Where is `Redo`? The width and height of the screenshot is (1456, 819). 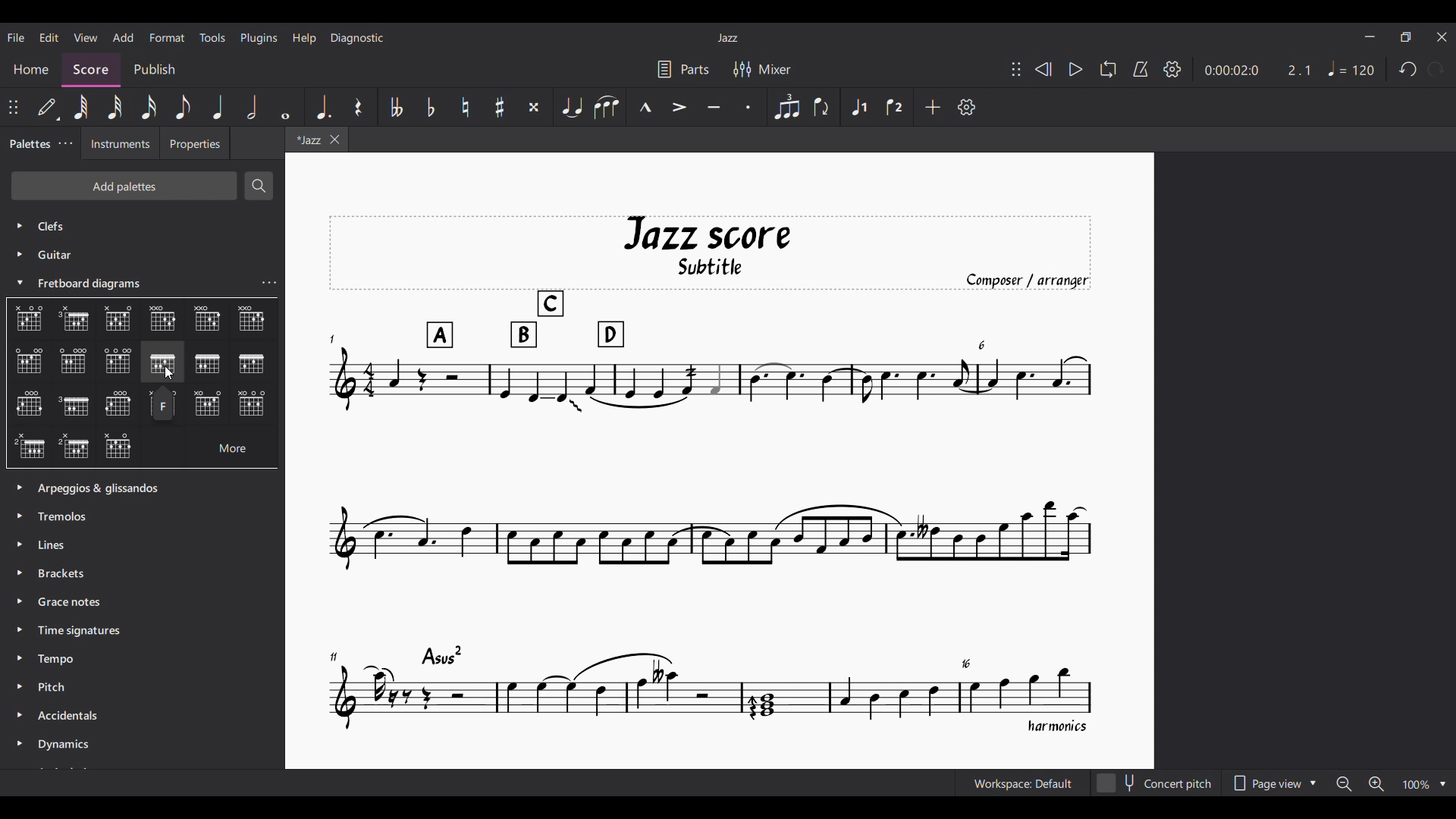 Redo is located at coordinates (1437, 69).